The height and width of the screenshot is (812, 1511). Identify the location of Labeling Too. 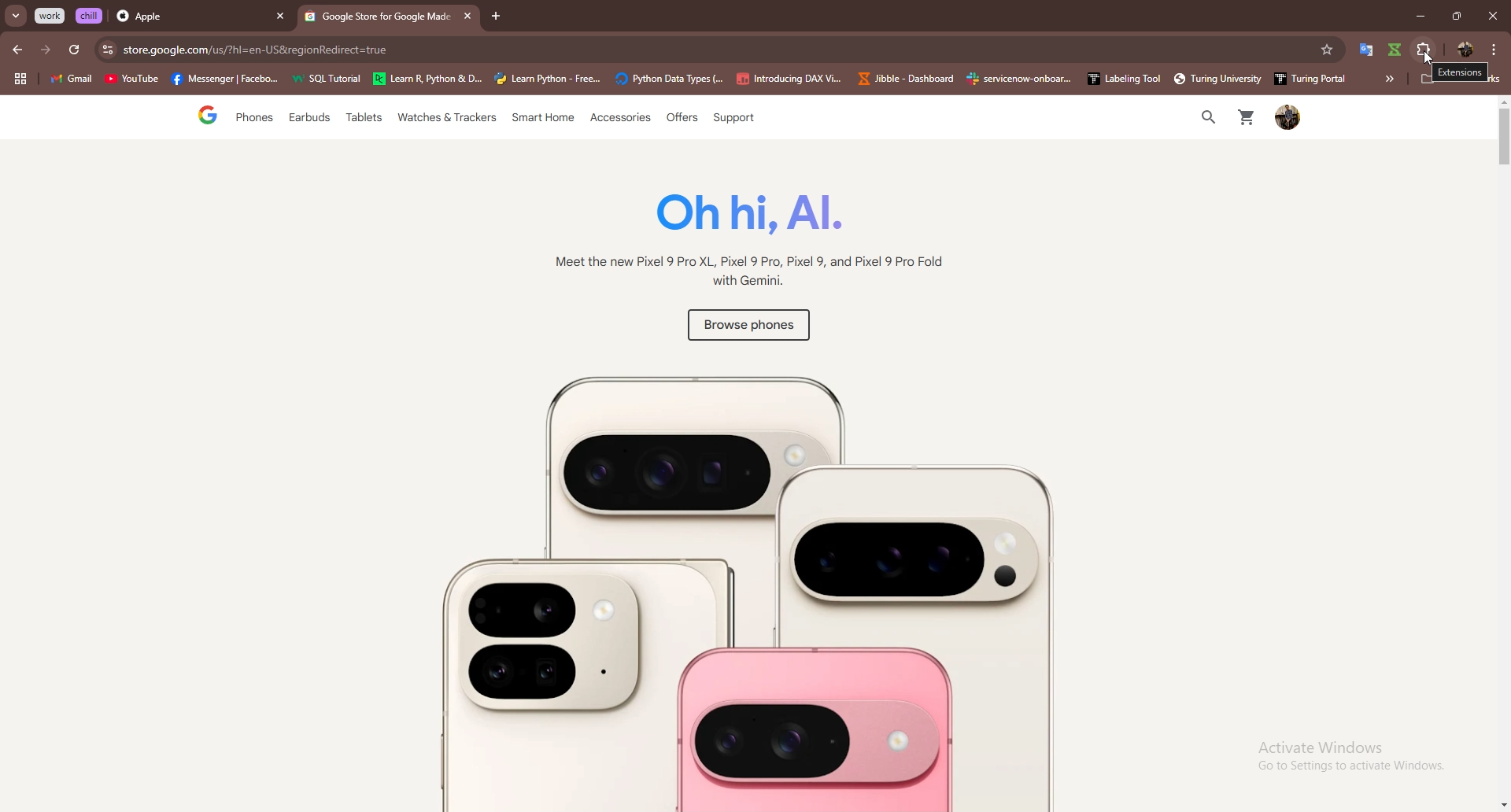
(1121, 79).